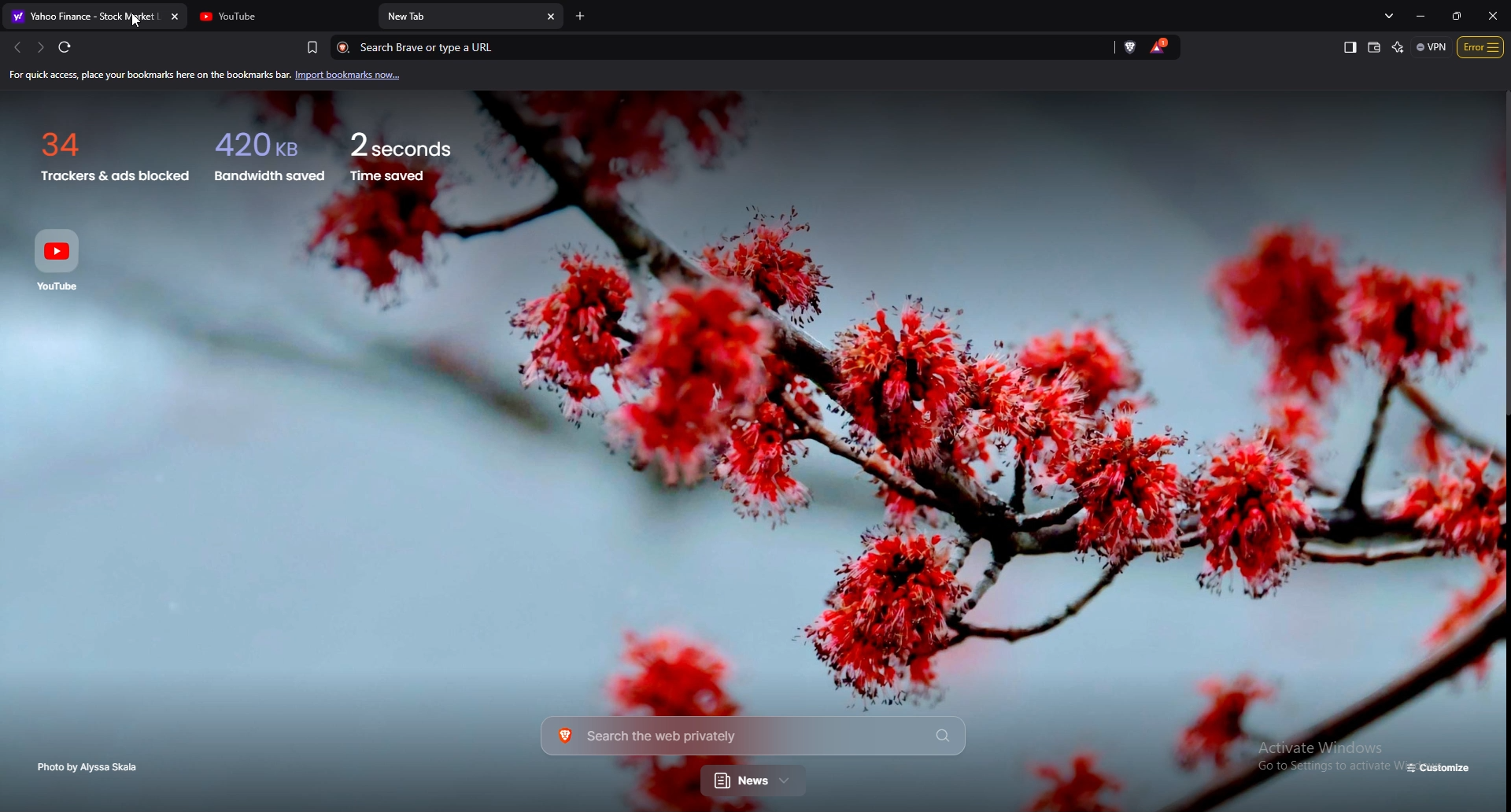 This screenshot has width=1511, height=812. Describe the element at coordinates (1493, 15) in the screenshot. I see `close` at that location.